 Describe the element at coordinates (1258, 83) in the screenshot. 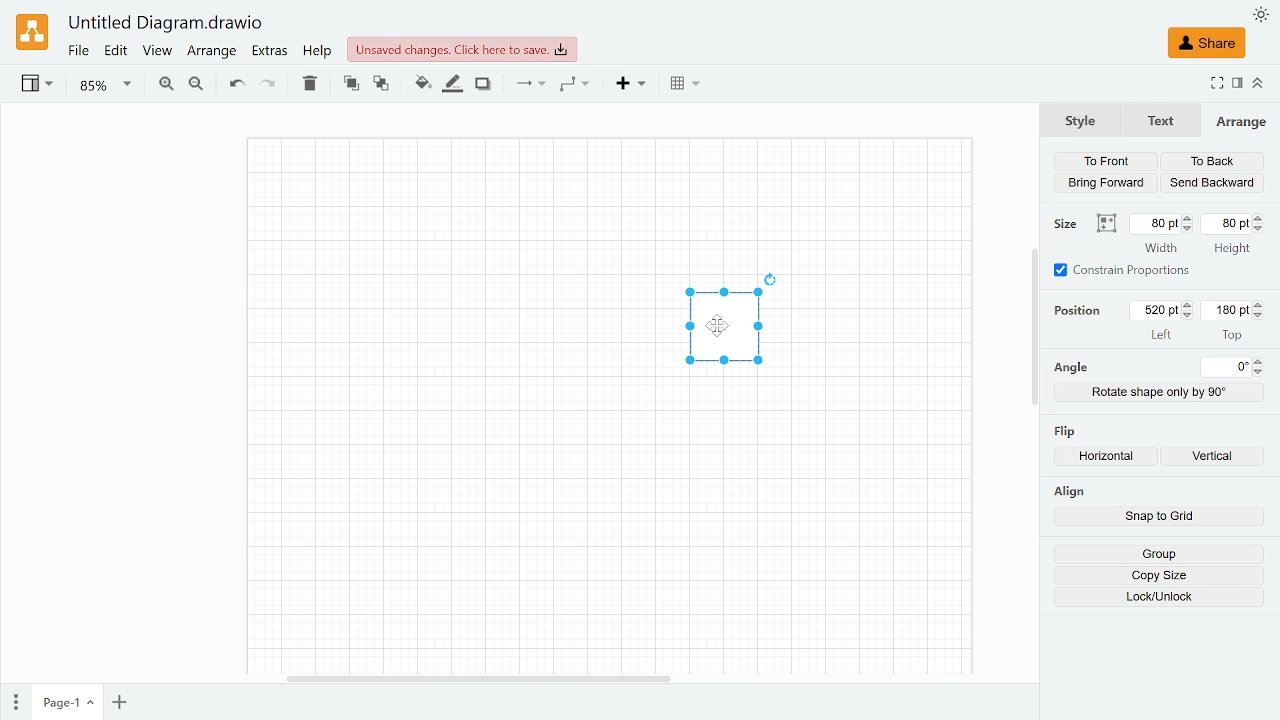

I see `Collapse /expamd` at that location.